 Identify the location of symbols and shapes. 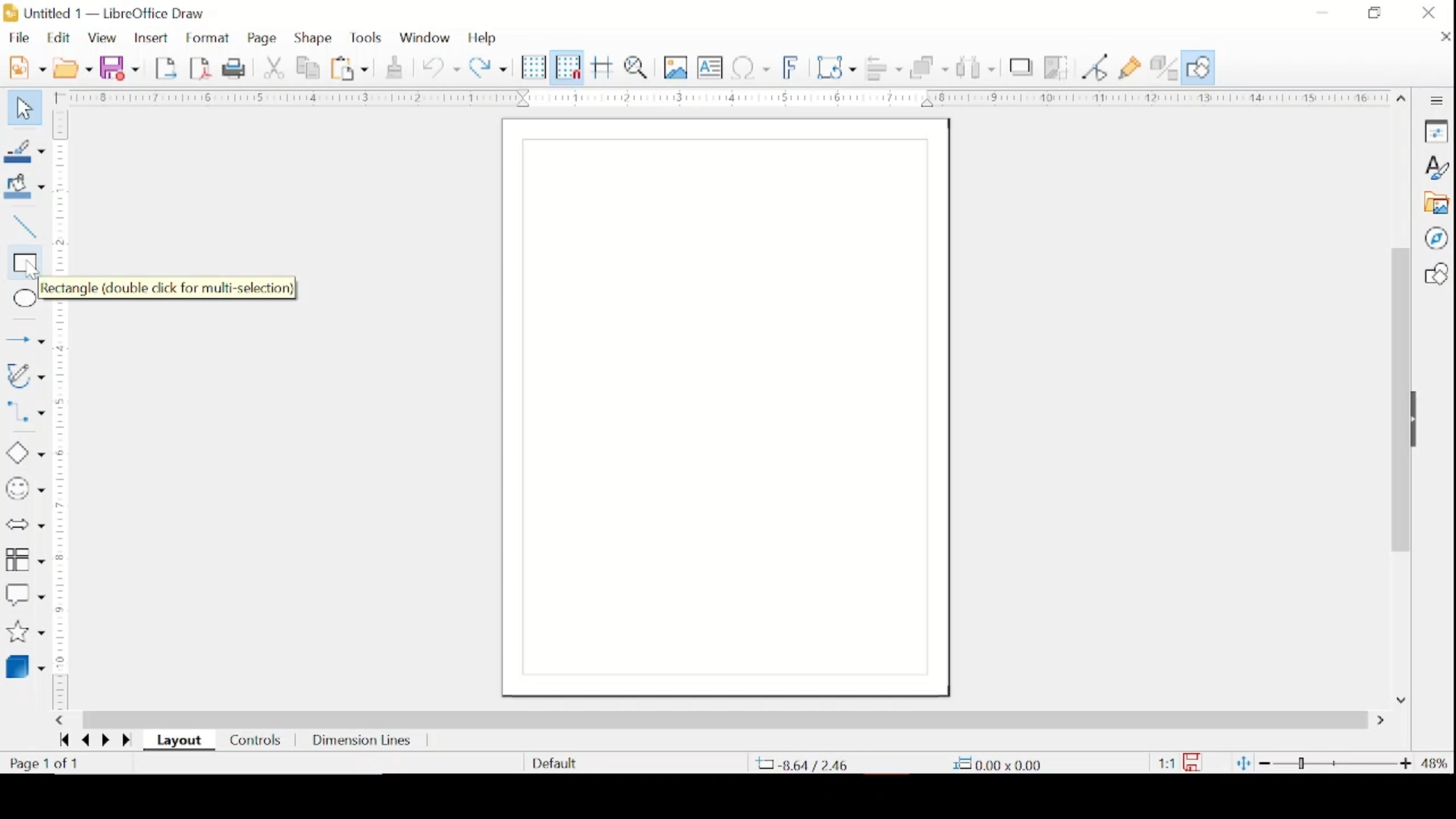
(24, 489).